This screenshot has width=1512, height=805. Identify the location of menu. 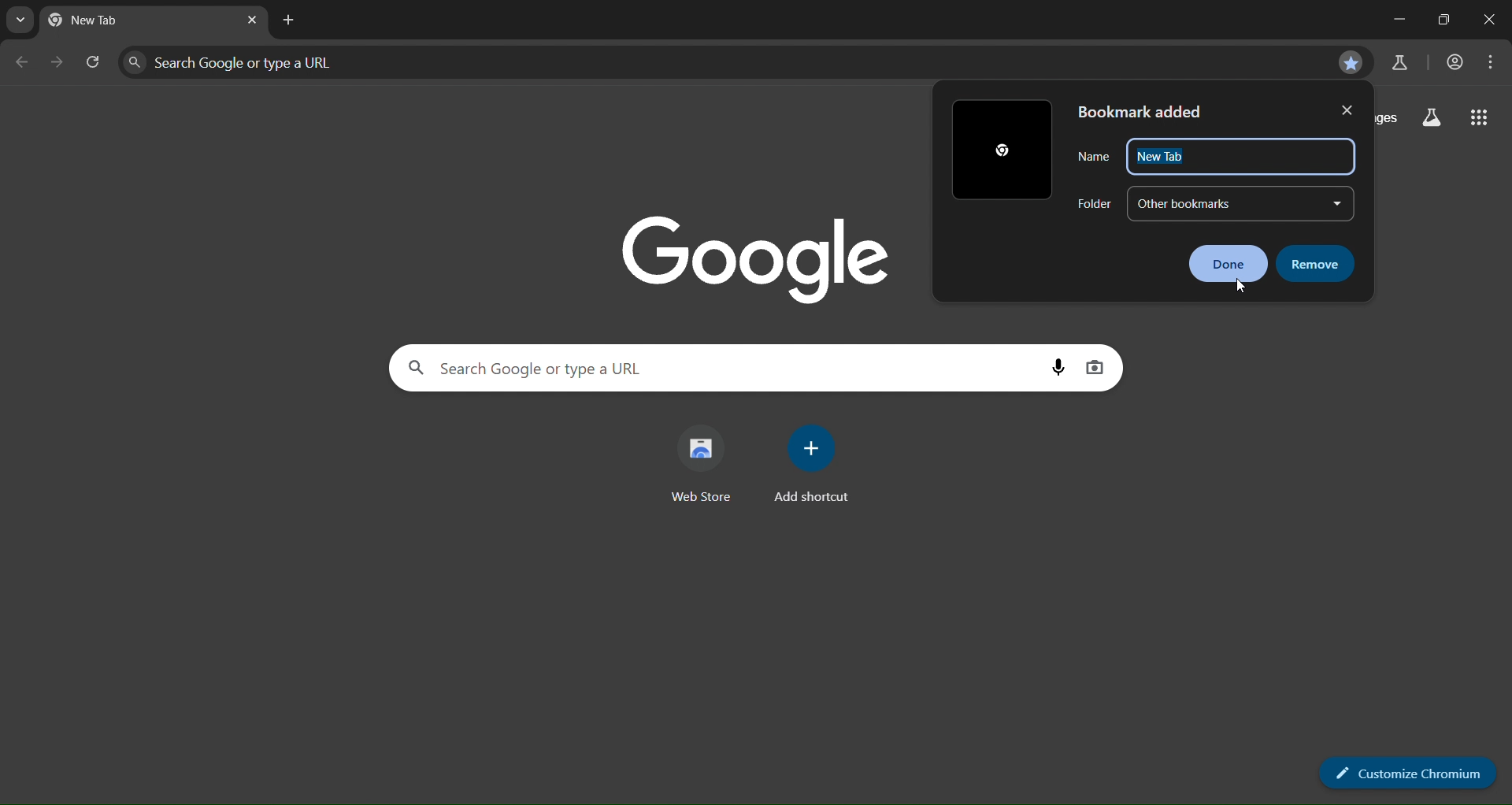
(1490, 63).